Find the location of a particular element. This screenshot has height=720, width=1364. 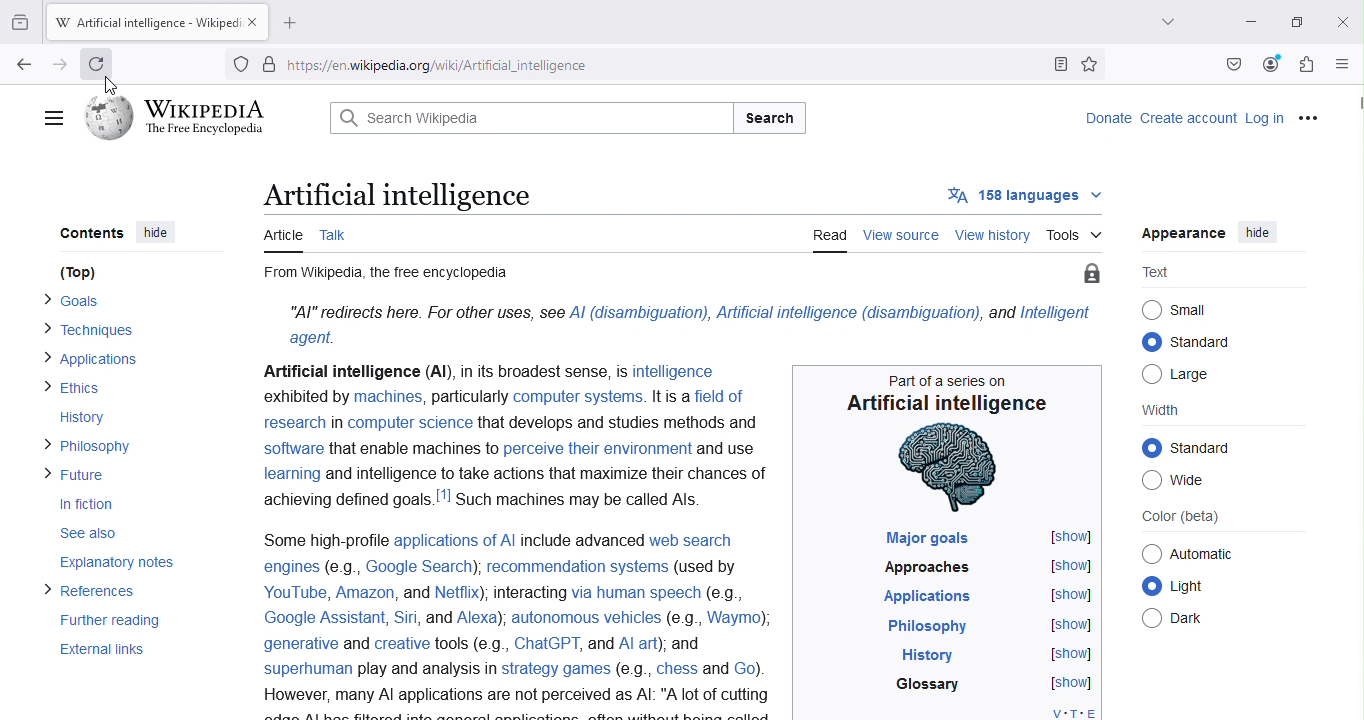

ChatGPT, and Al art); and is located at coordinates (616, 643).